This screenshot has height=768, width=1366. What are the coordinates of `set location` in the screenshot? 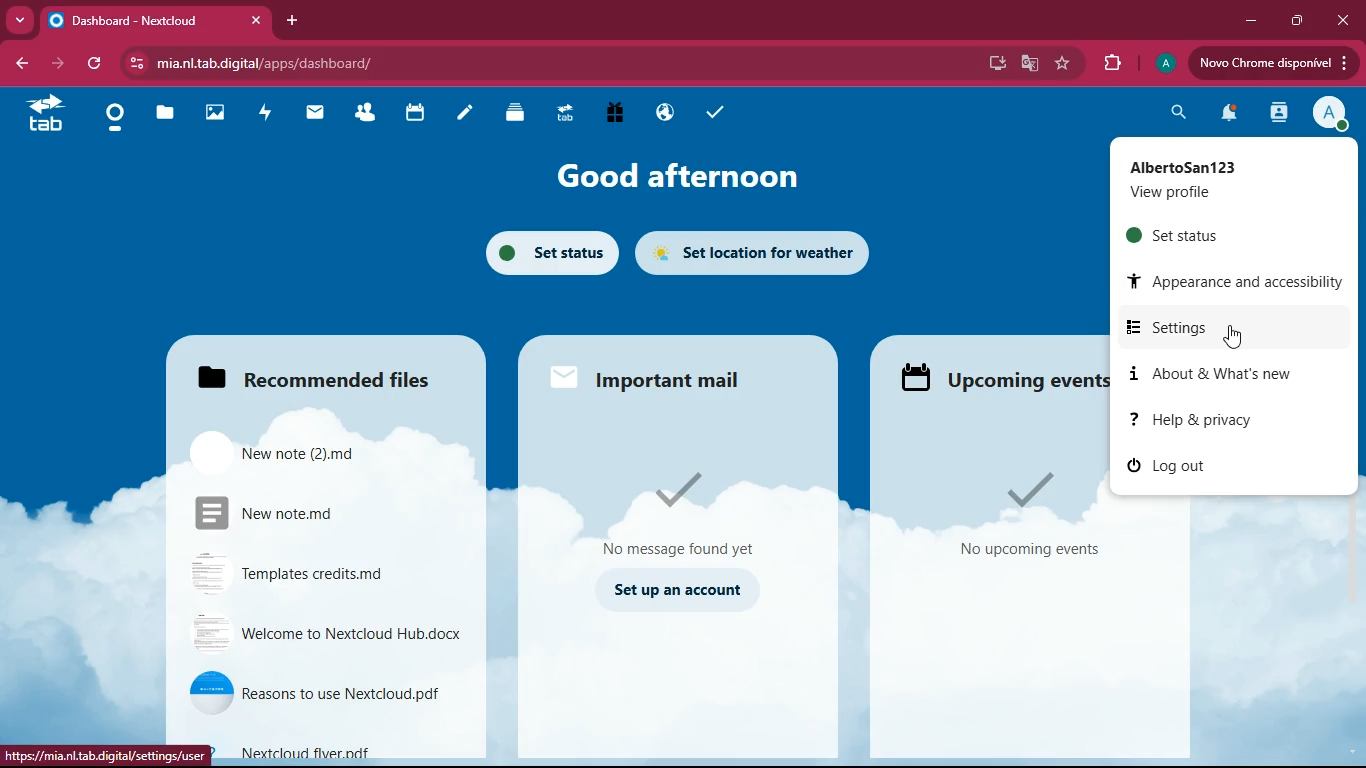 It's located at (763, 252).